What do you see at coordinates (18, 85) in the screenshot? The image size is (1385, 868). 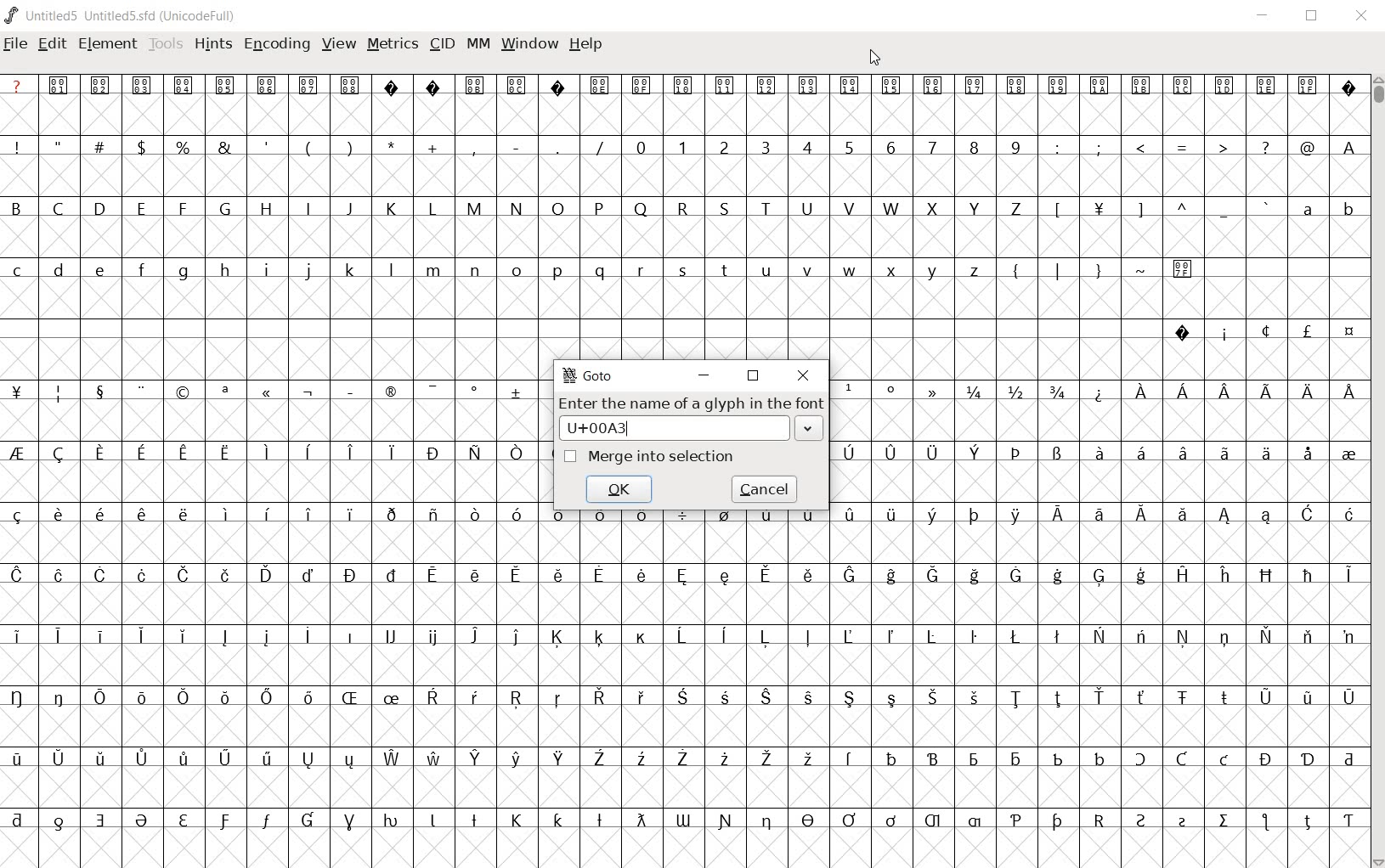 I see `?` at bounding box center [18, 85].